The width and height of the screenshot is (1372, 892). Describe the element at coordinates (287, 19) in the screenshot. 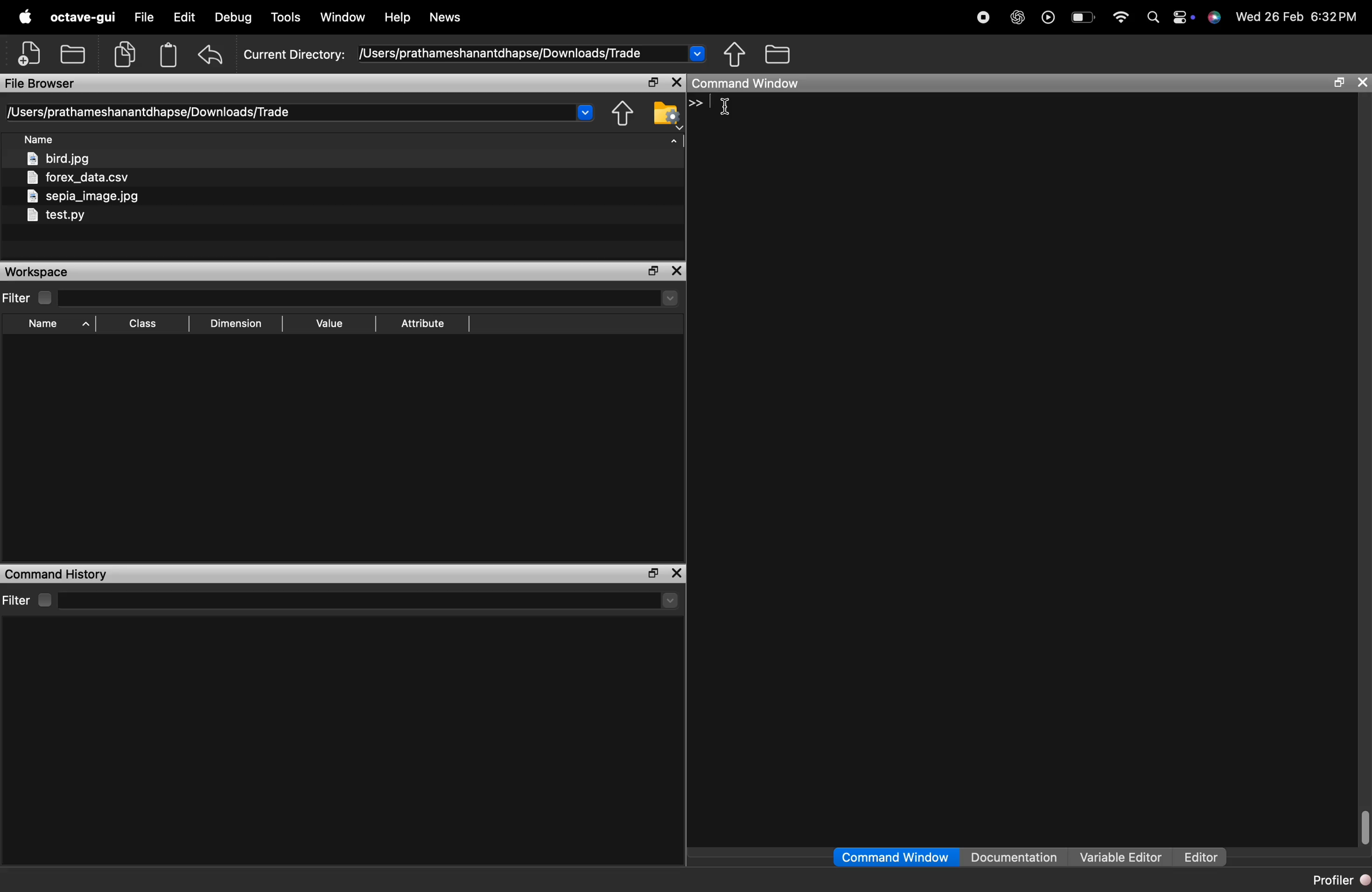

I see `tools` at that location.